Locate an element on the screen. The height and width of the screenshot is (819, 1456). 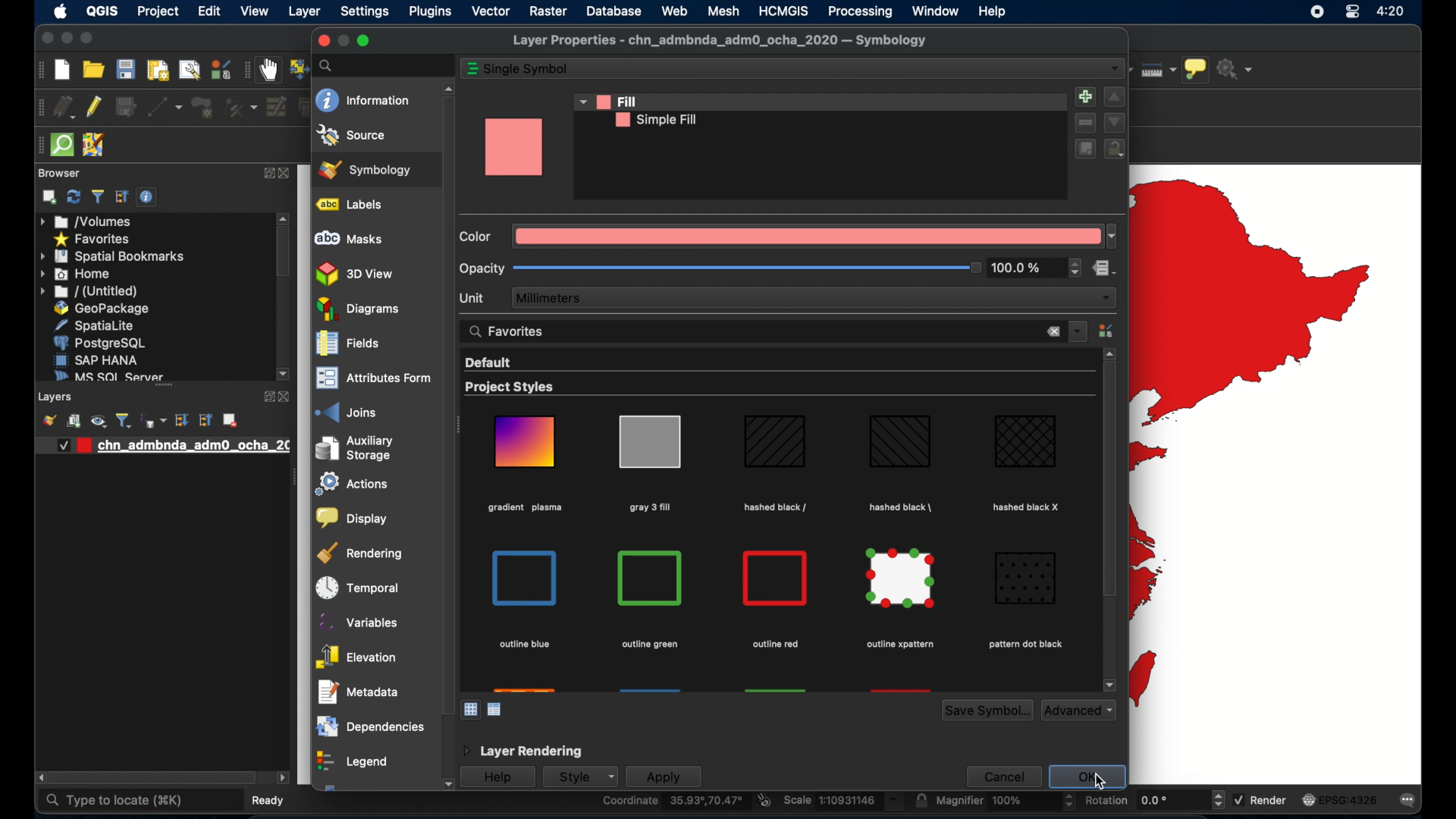
close is located at coordinates (45, 40).